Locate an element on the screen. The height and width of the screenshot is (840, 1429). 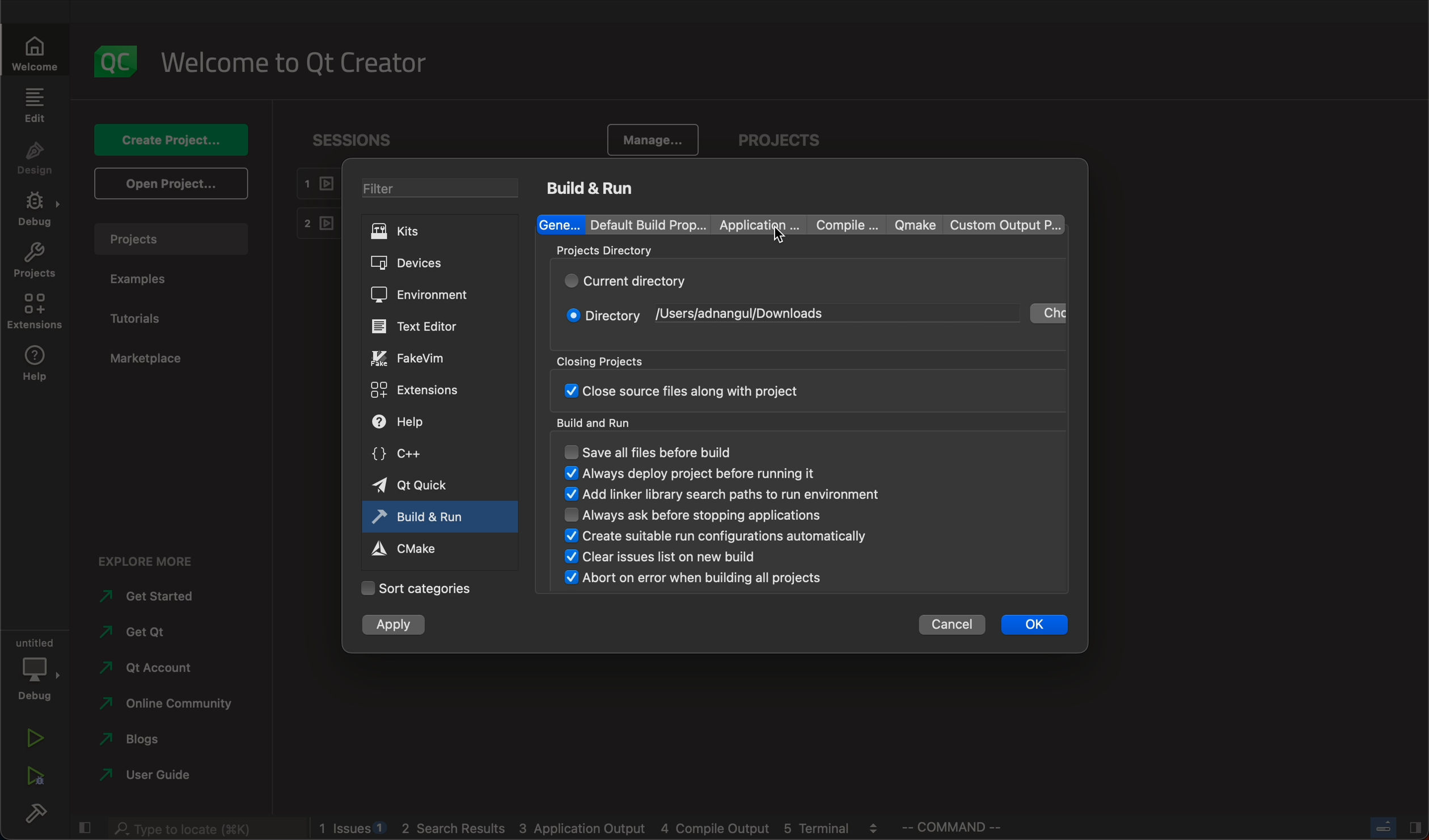
custom output is located at coordinates (999, 224).